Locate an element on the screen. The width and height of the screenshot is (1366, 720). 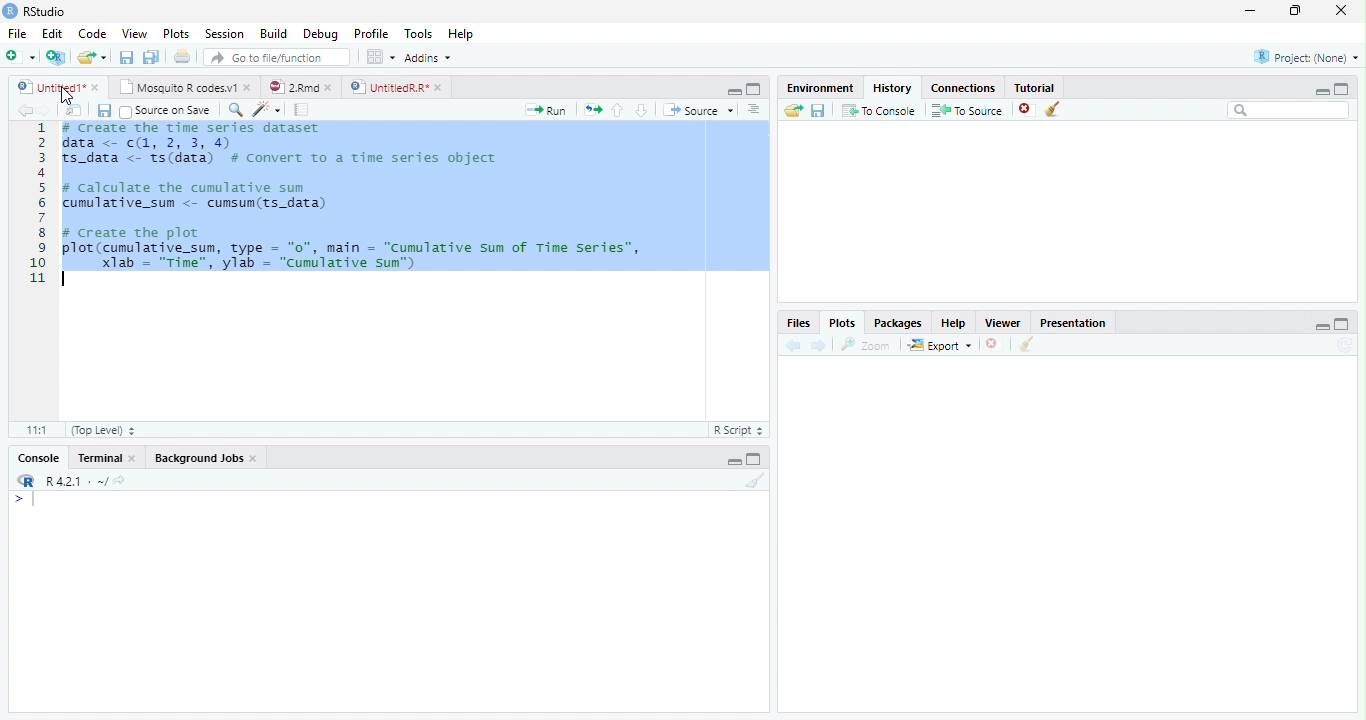
# Create the time series dataset data <- (1, 2, 3, 4)S_data <- ts(data) # convert to a time series objectcalculate the cumulative sumumulative_sum <- cumsum(ts_data)create the plotlot (cumulative_sum, type = "0", main = "Cumulative sum of Time Series”,Xlab = "Time", ylab = "cumulative sun") is located at coordinates (362, 205).